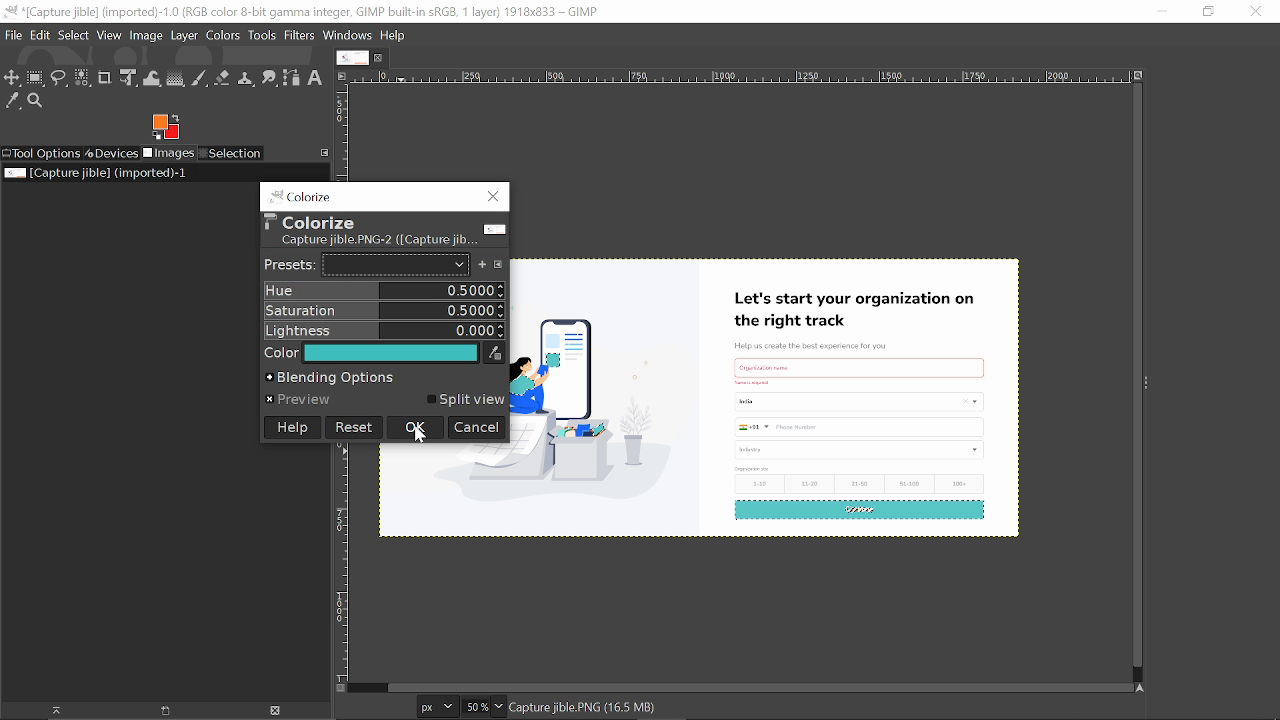 This screenshot has height=720, width=1280. What do you see at coordinates (38, 102) in the screenshot?
I see `Zoom tool` at bounding box center [38, 102].